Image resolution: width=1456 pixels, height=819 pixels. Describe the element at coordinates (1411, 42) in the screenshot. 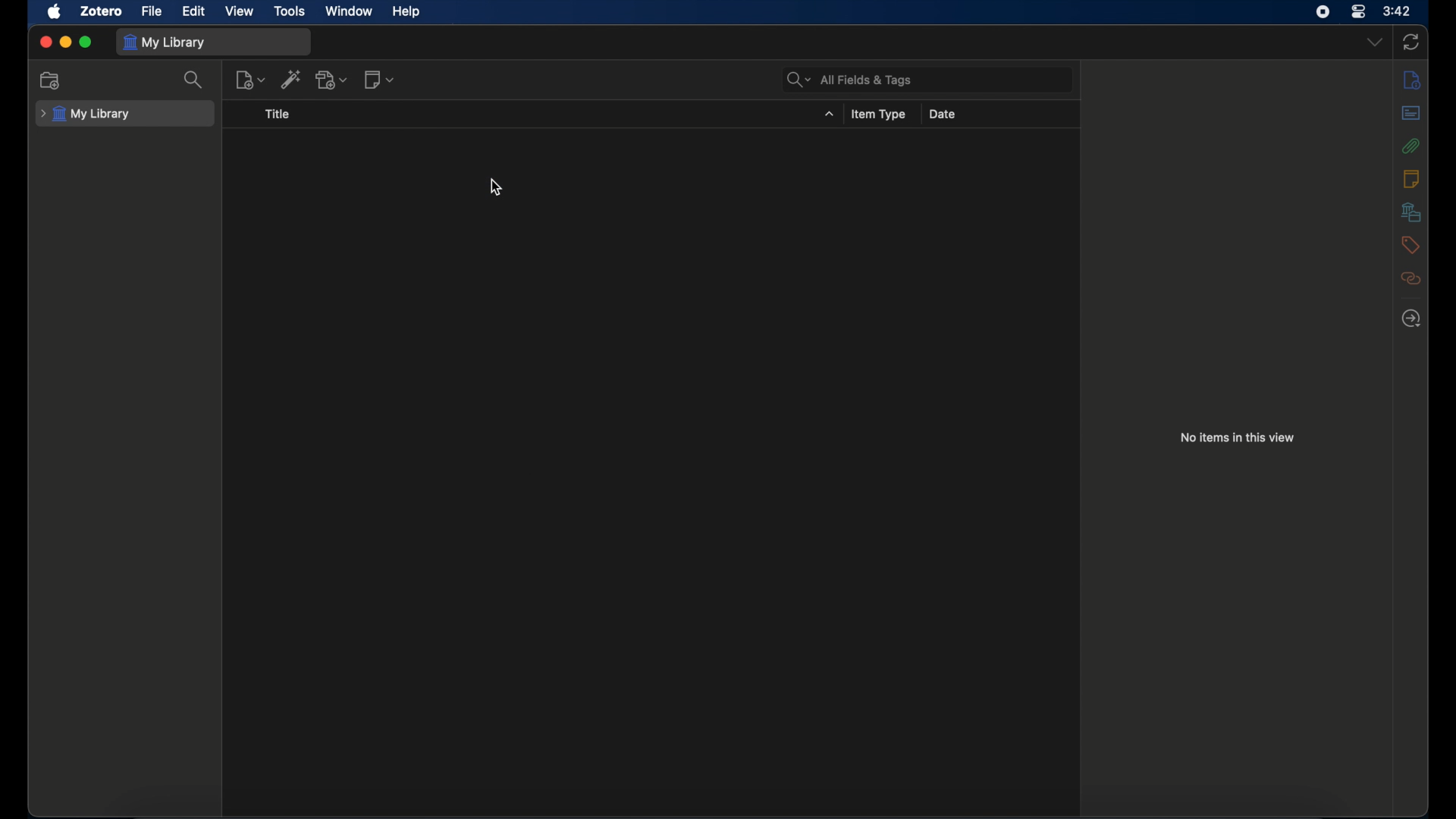

I see `sync` at that location.